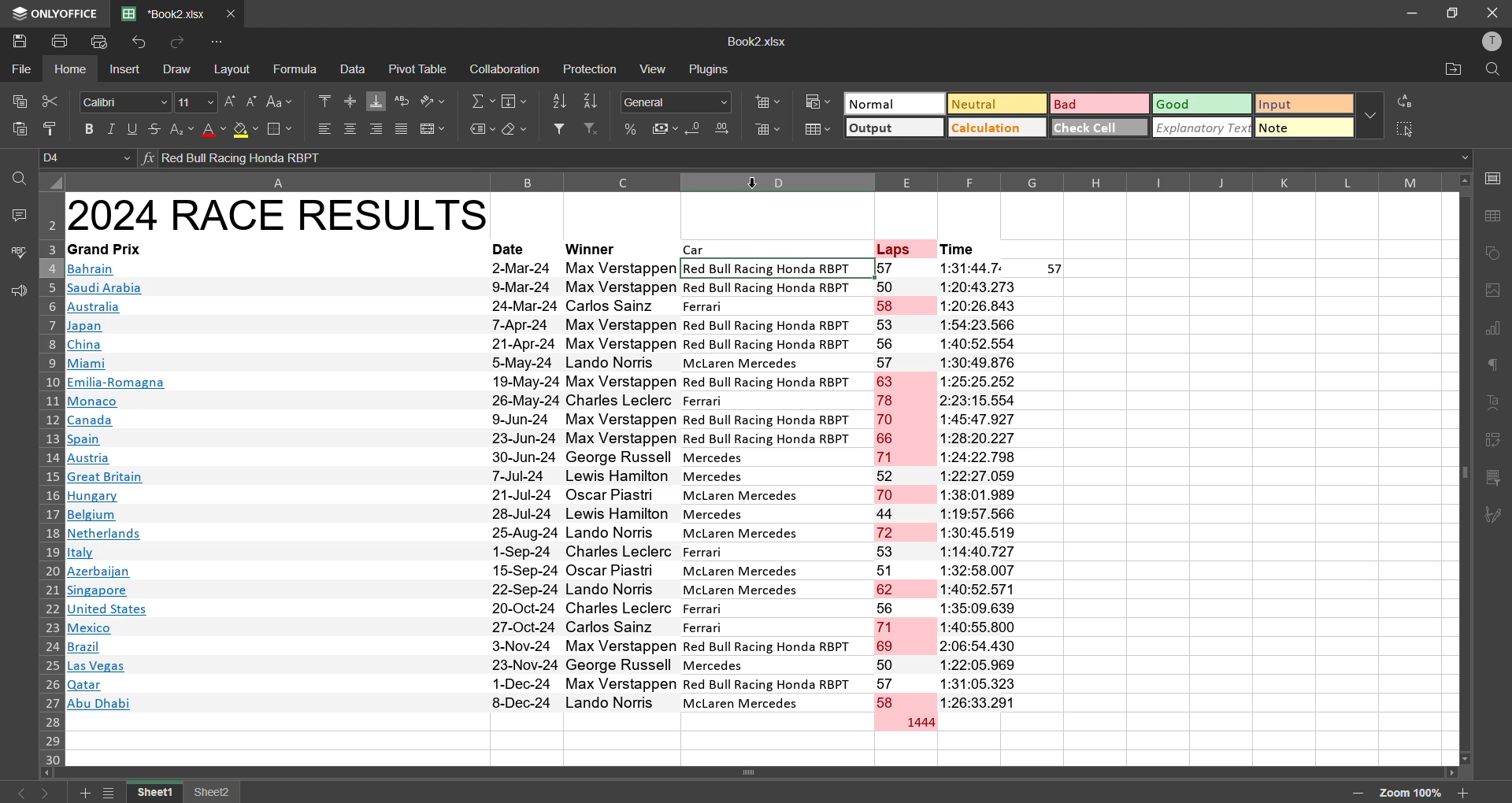  I want to click on view, so click(656, 68).